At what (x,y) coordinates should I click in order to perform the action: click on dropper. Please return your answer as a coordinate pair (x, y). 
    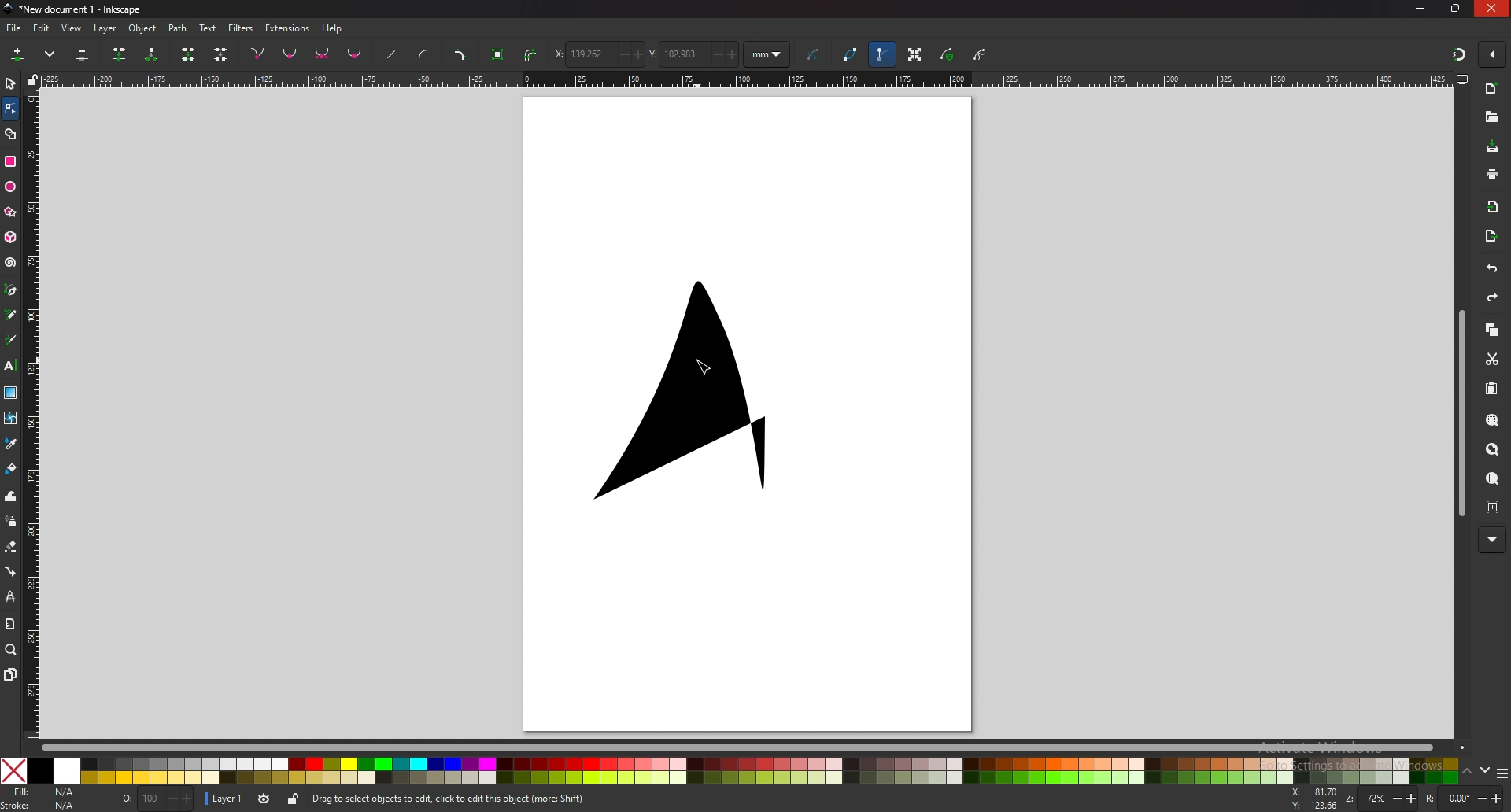
    Looking at the image, I should click on (10, 443).